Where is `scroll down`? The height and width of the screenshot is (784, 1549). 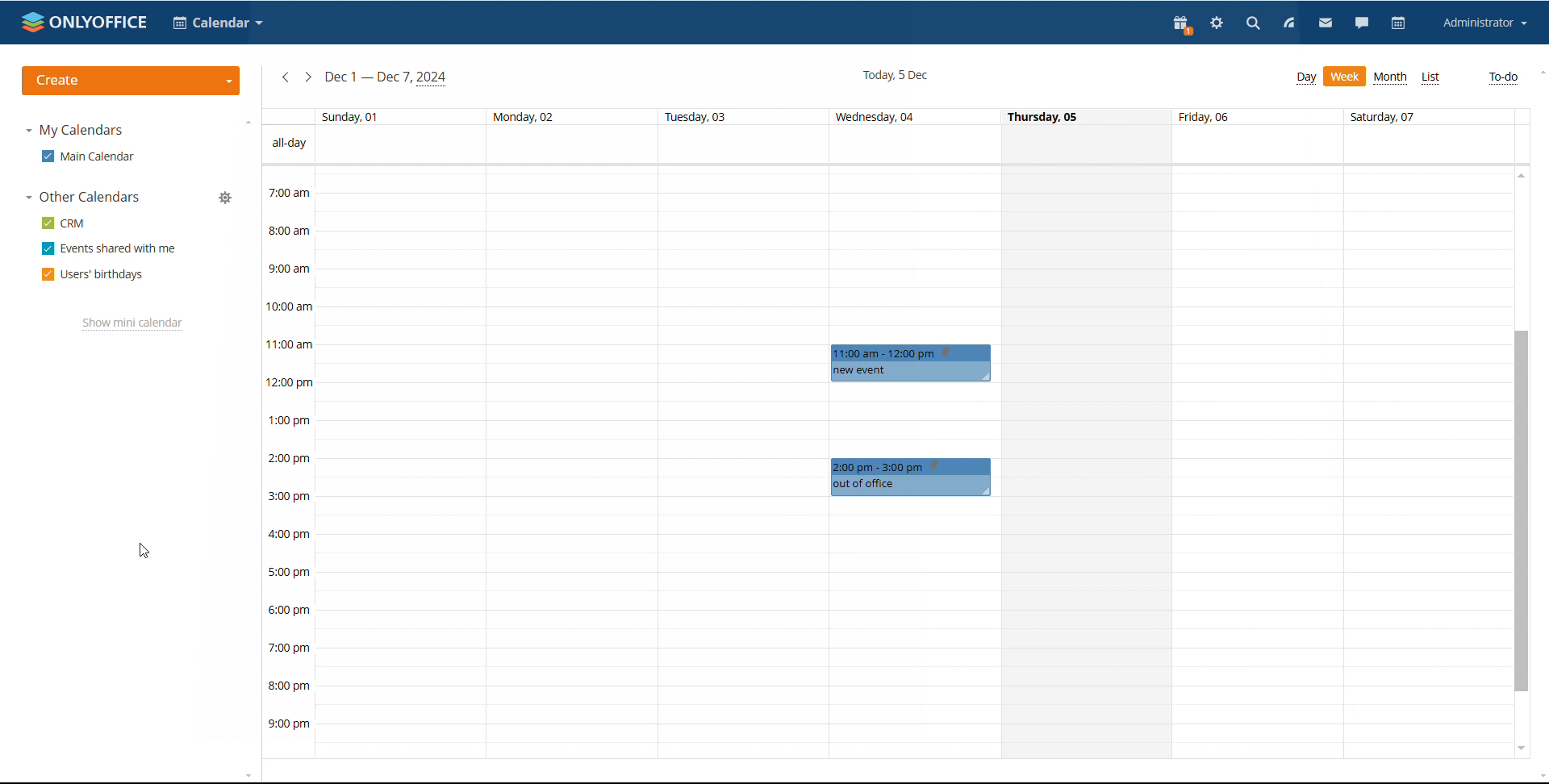 scroll down is located at coordinates (1519, 748).